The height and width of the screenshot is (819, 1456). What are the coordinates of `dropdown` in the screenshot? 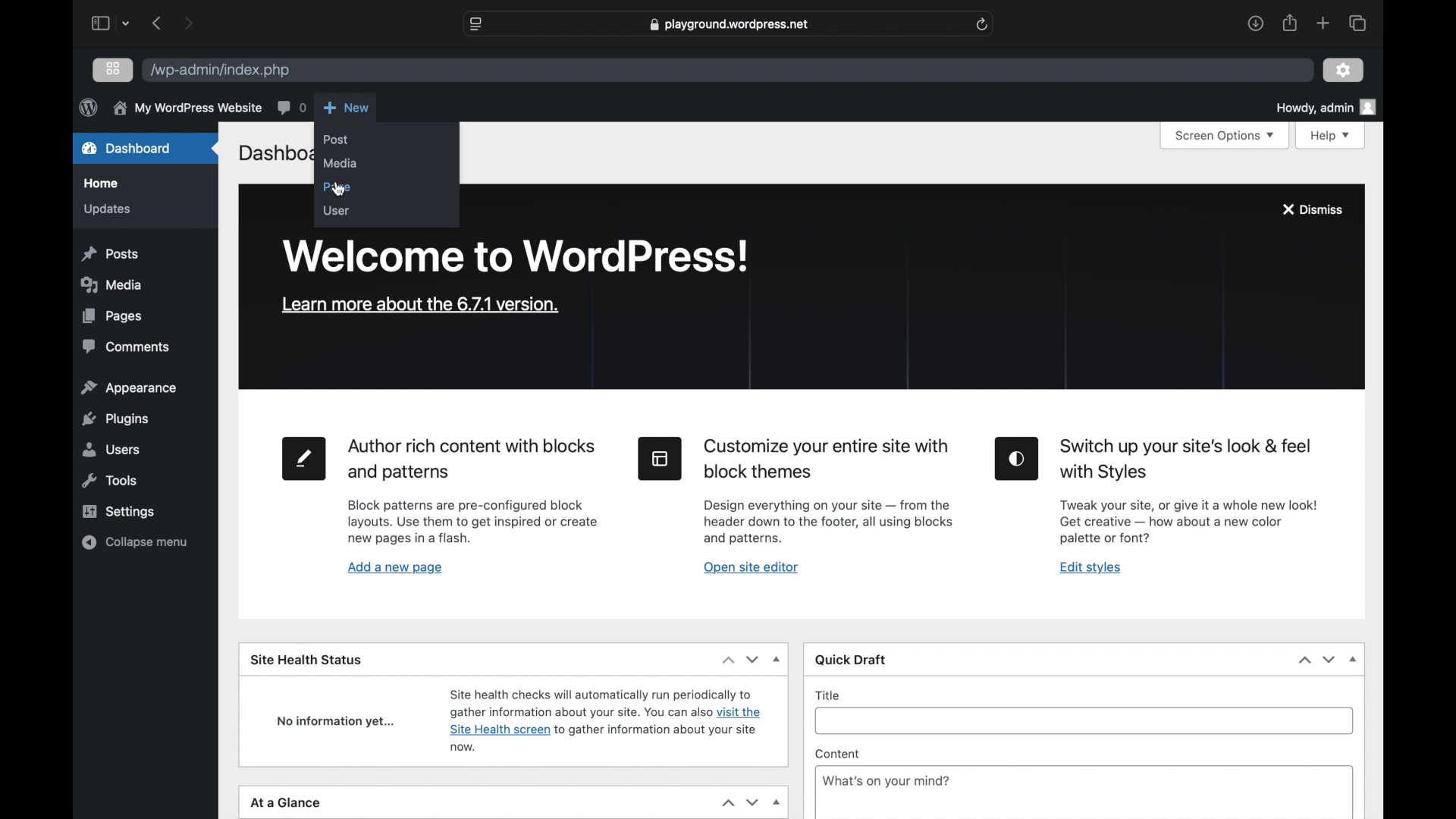 It's located at (777, 659).